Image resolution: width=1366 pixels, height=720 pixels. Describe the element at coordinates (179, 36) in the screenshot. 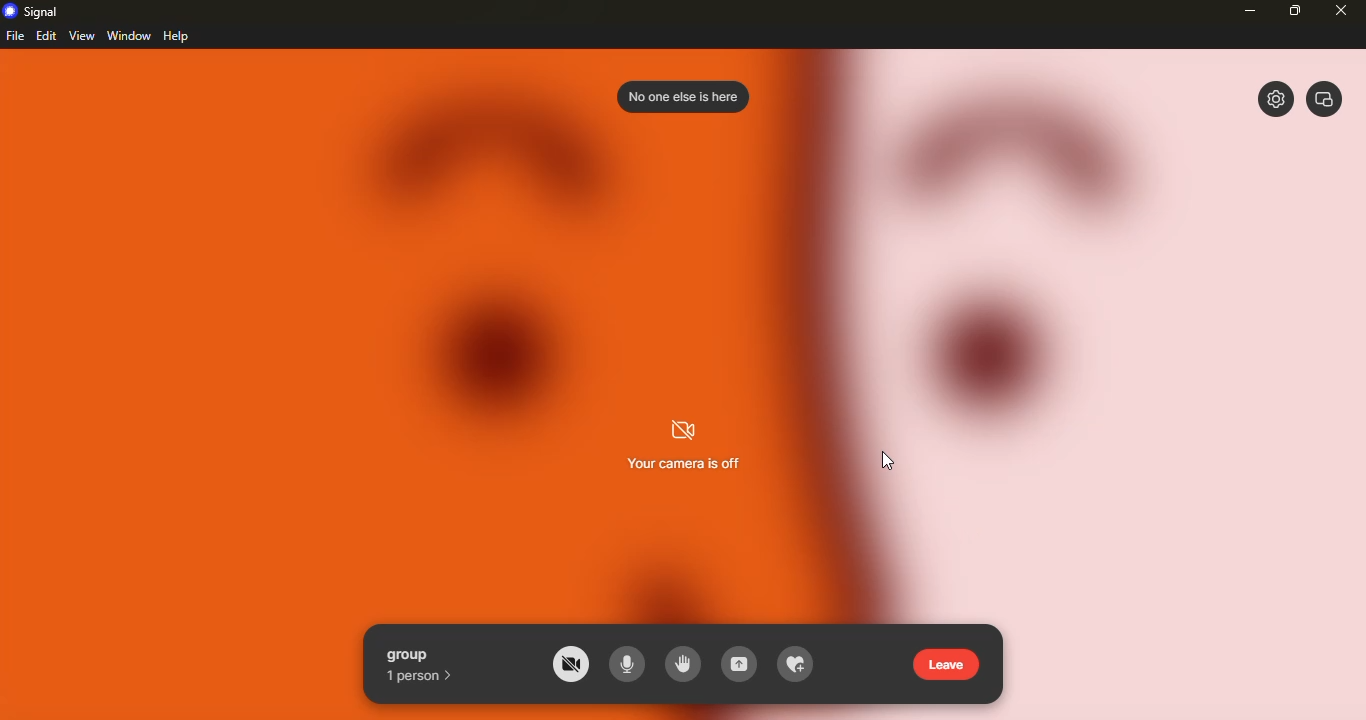

I see `help` at that location.